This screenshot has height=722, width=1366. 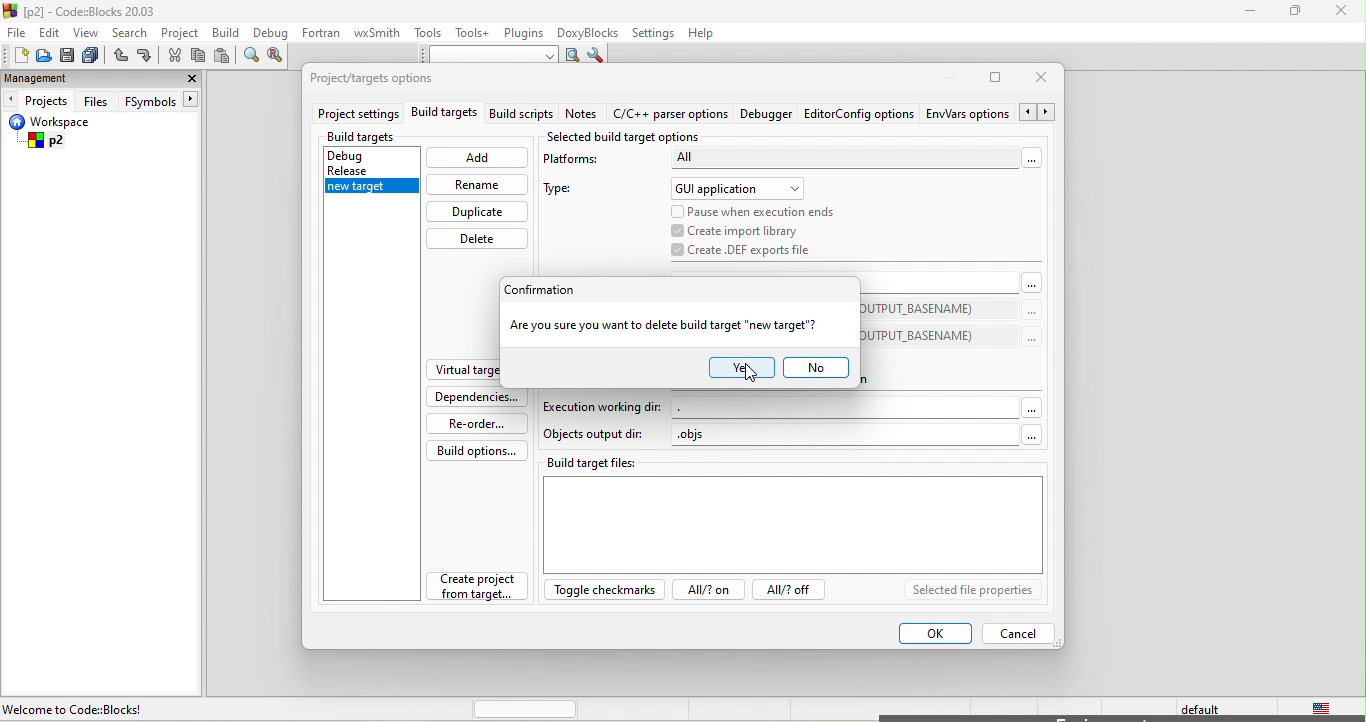 What do you see at coordinates (476, 184) in the screenshot?
I see `rename` at bounding box center [476, 184].